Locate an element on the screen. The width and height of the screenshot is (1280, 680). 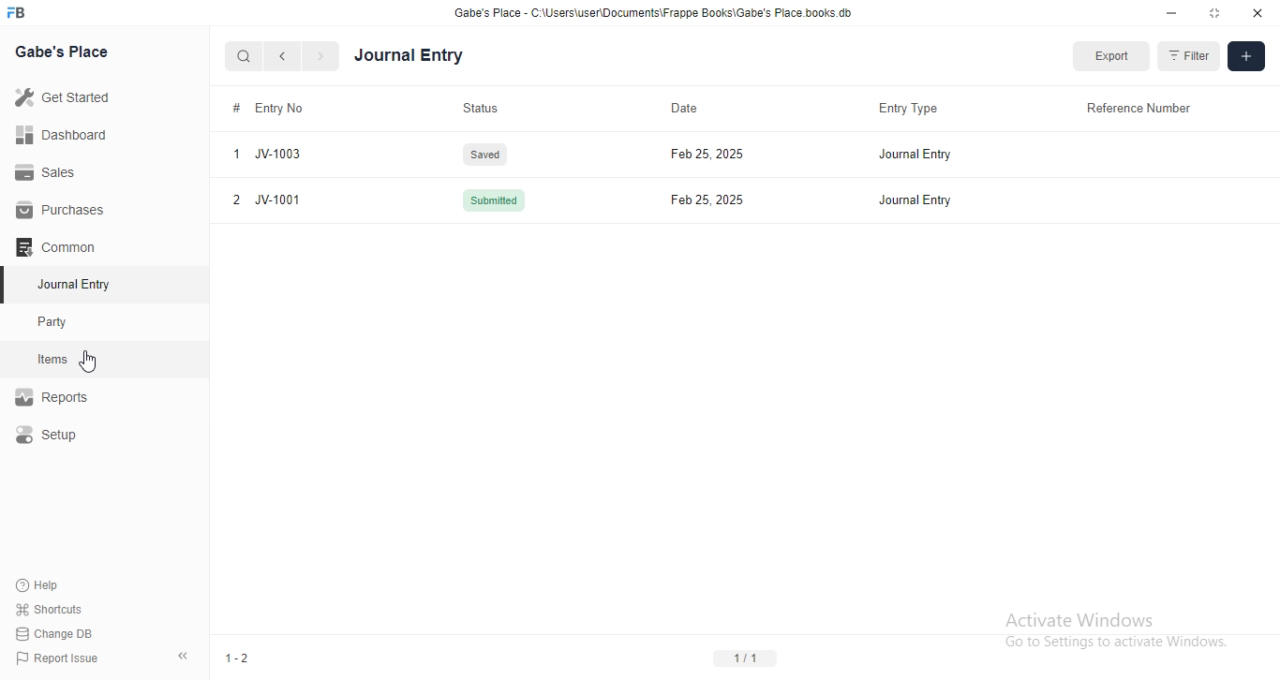
Dashboard is located at coordinates (65, 135).